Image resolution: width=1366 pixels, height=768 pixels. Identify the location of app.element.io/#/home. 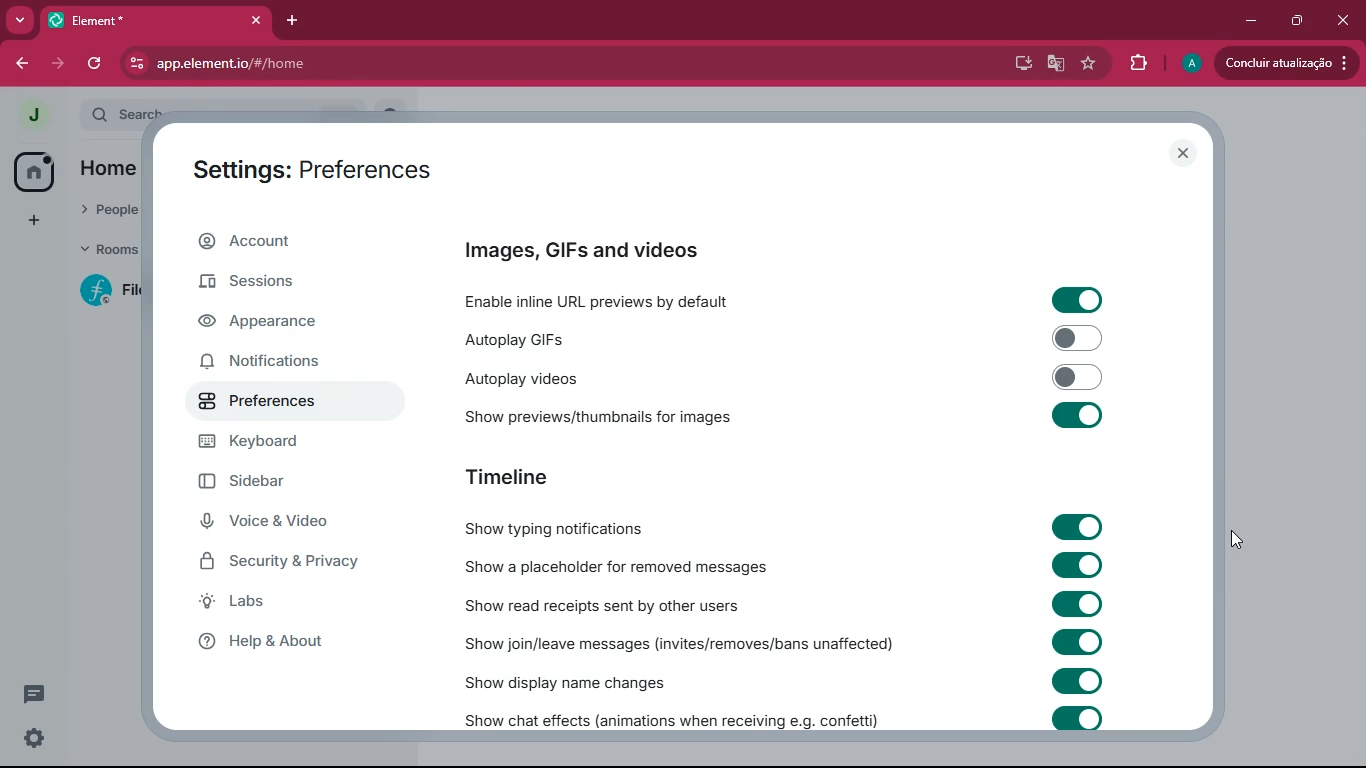
(355, 65).